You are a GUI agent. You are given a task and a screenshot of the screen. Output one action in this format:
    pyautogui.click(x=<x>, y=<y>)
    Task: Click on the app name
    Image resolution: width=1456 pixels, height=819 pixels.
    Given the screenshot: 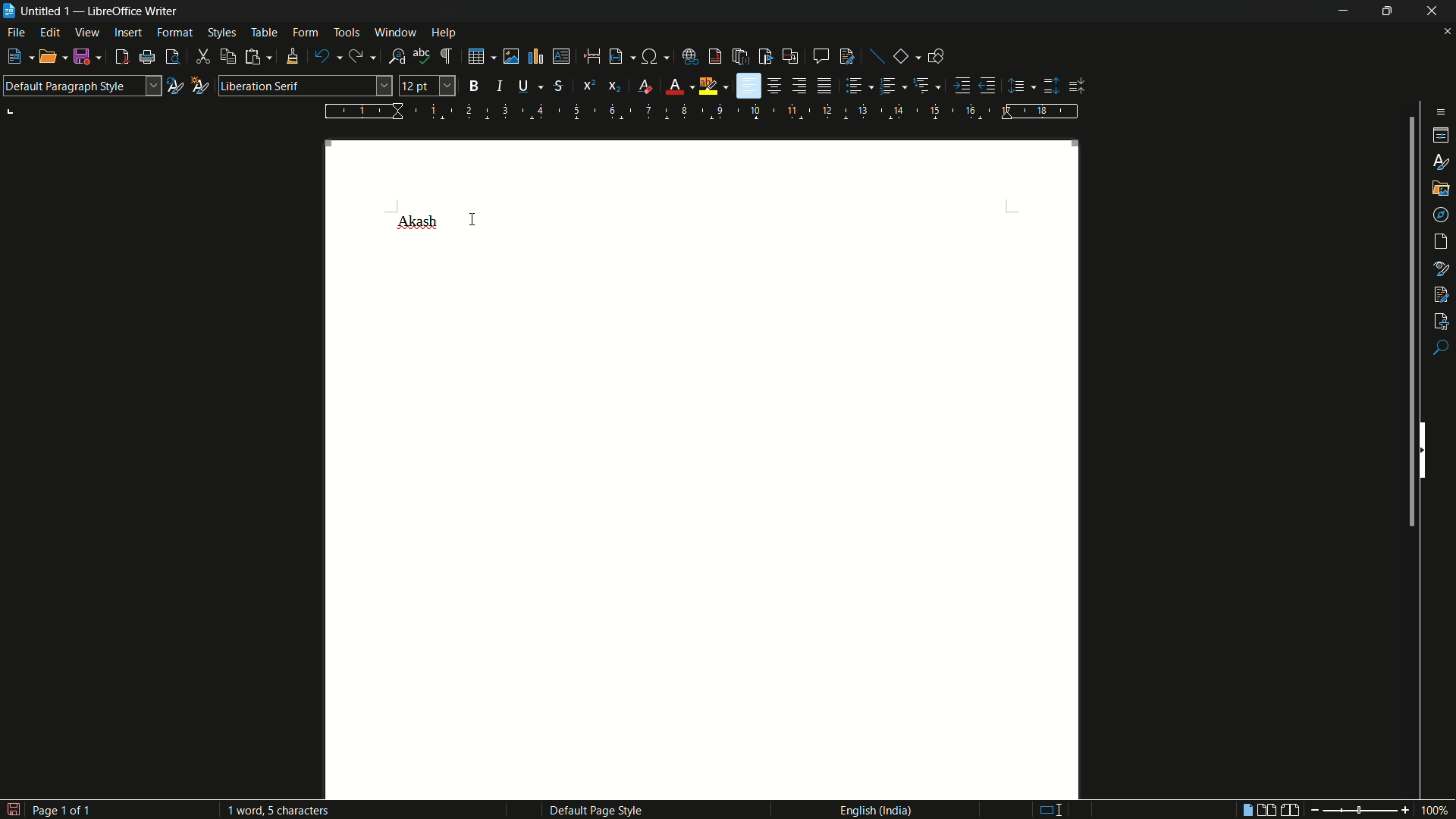 What is the action you would take?
    pyautogui.click(x=134, y=11)
    